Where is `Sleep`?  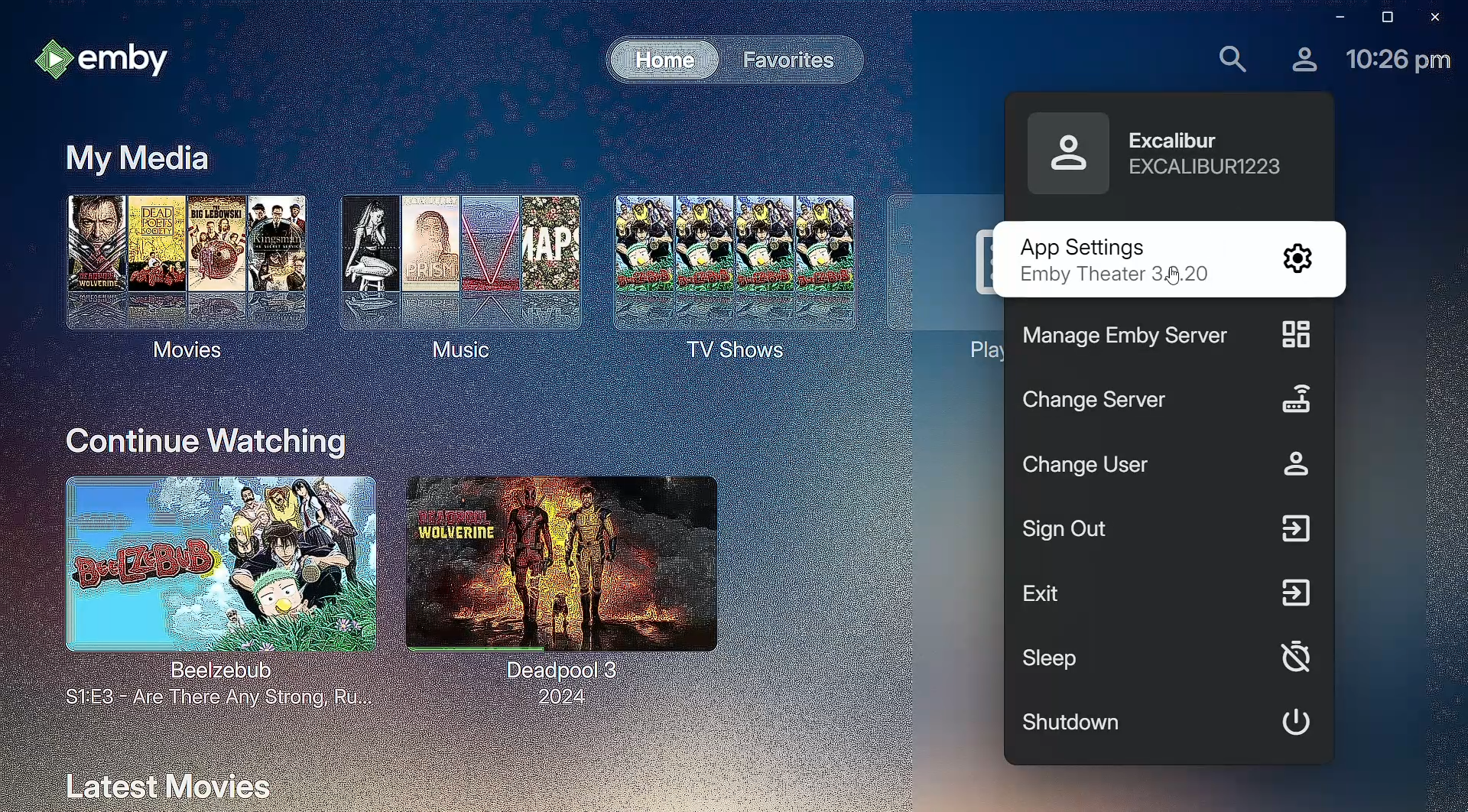
Sleep is located at coordinates (1171, 657).